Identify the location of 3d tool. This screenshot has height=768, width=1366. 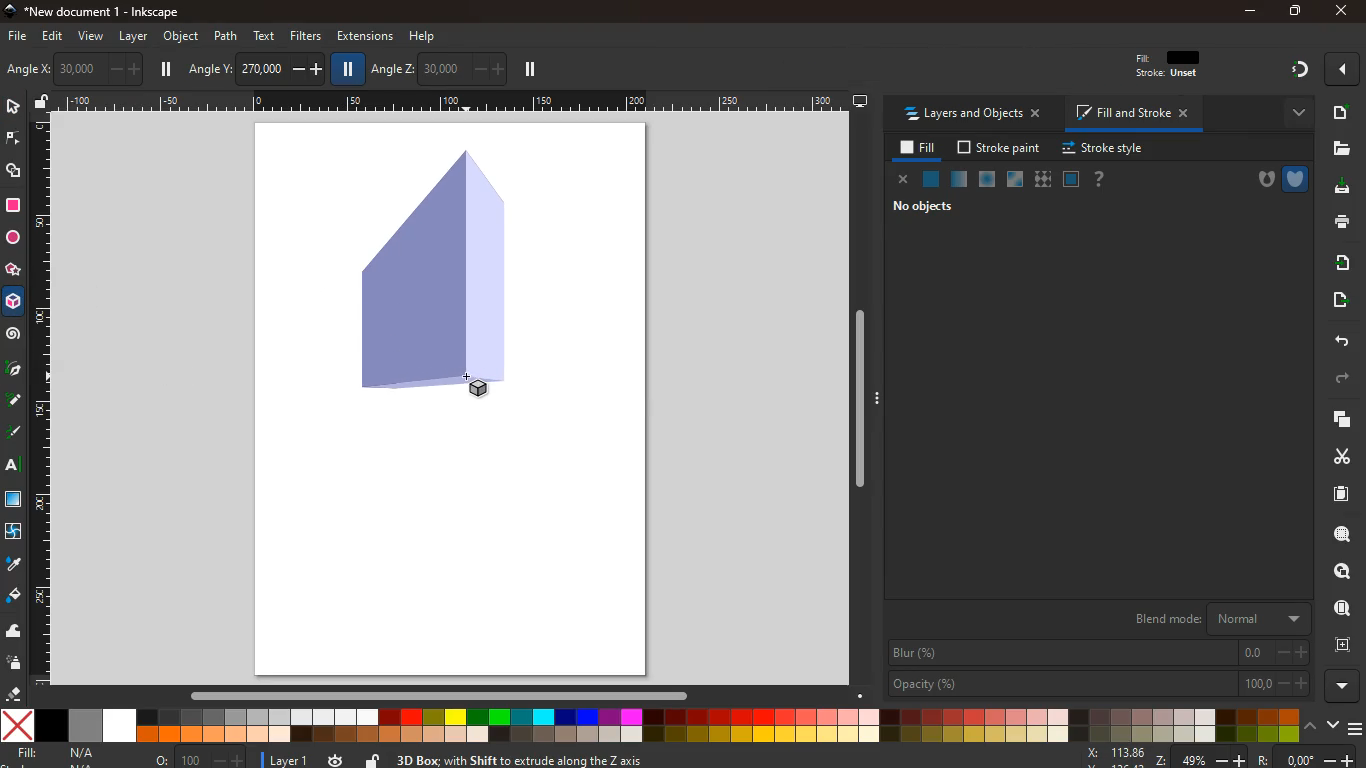
(15, 305).